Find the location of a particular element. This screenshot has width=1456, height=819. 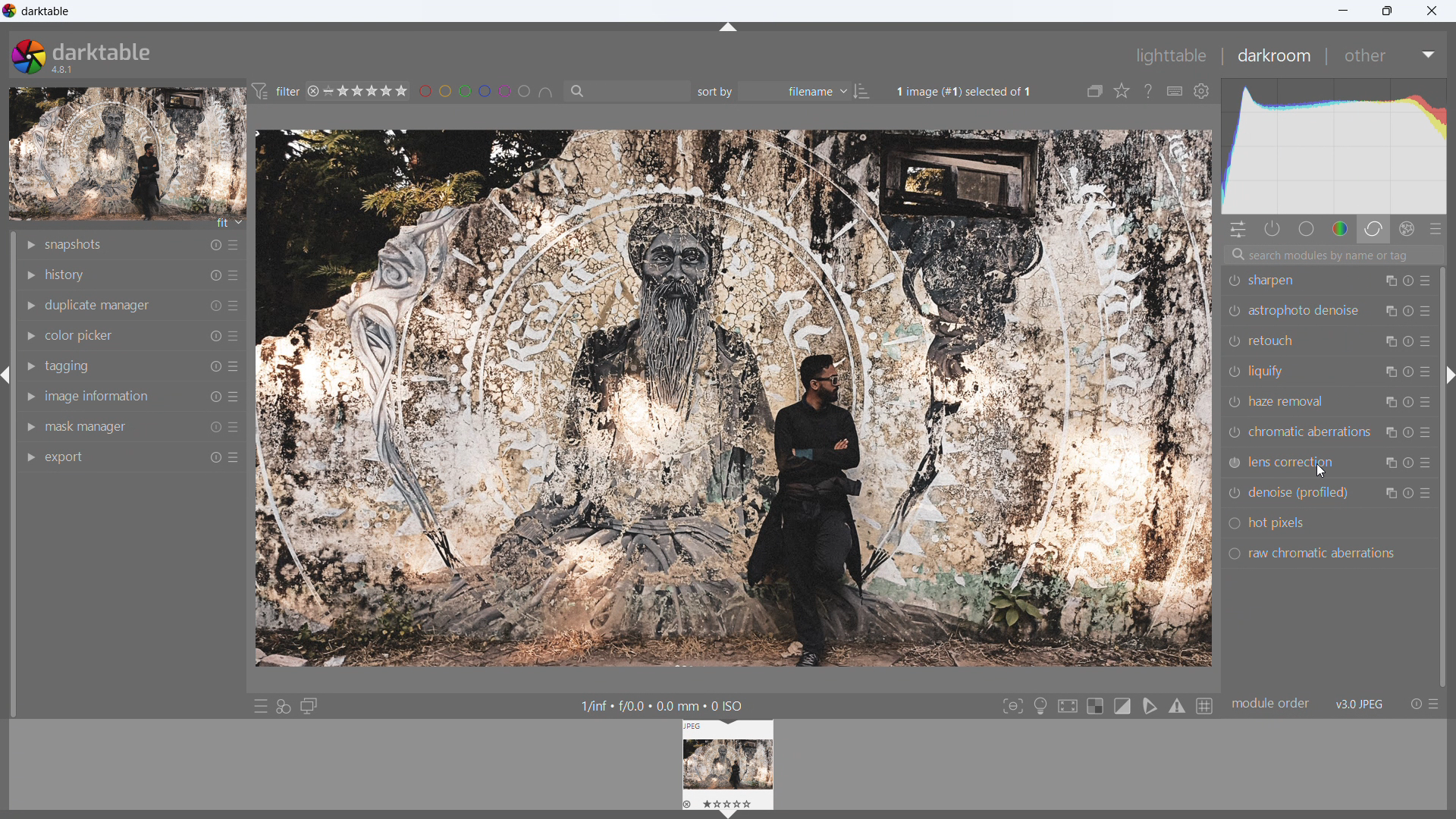

show module is located at coordinates (33, 458).